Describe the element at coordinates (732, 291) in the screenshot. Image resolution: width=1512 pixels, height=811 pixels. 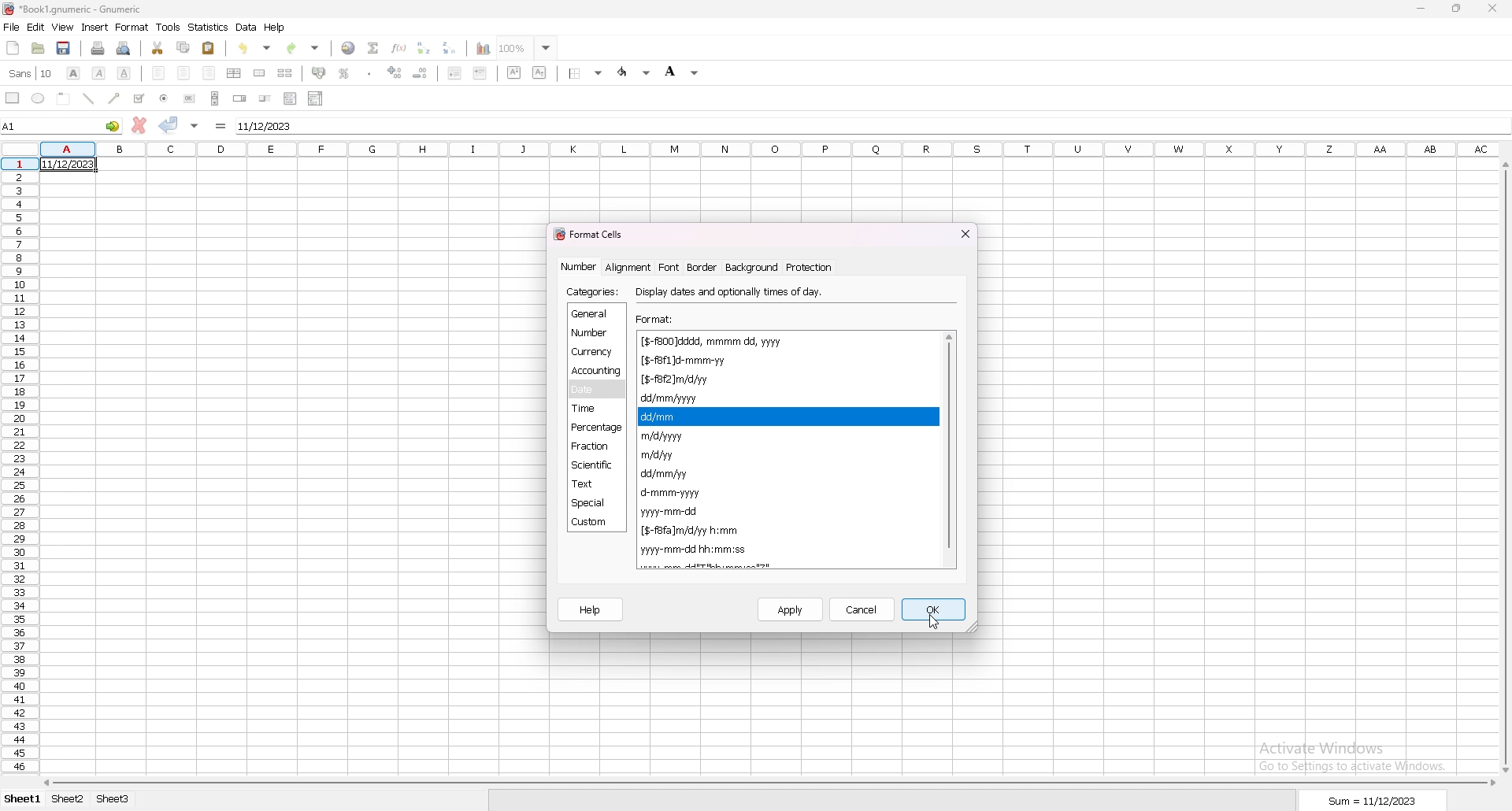
I see `display dates` at that location.